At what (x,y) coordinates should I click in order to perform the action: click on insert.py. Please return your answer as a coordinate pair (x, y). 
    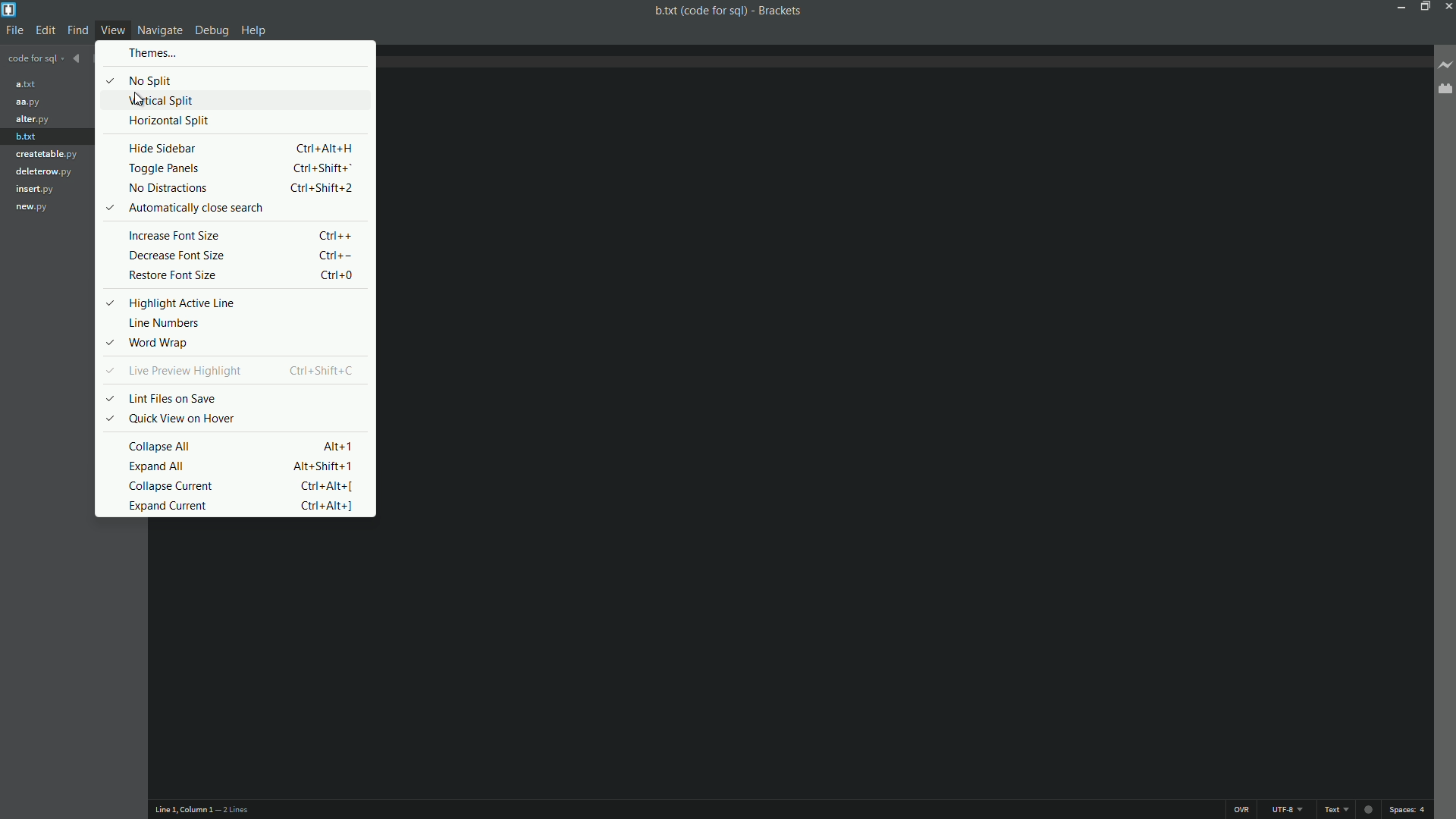
    Looking at the image, I should click on (39, 189).